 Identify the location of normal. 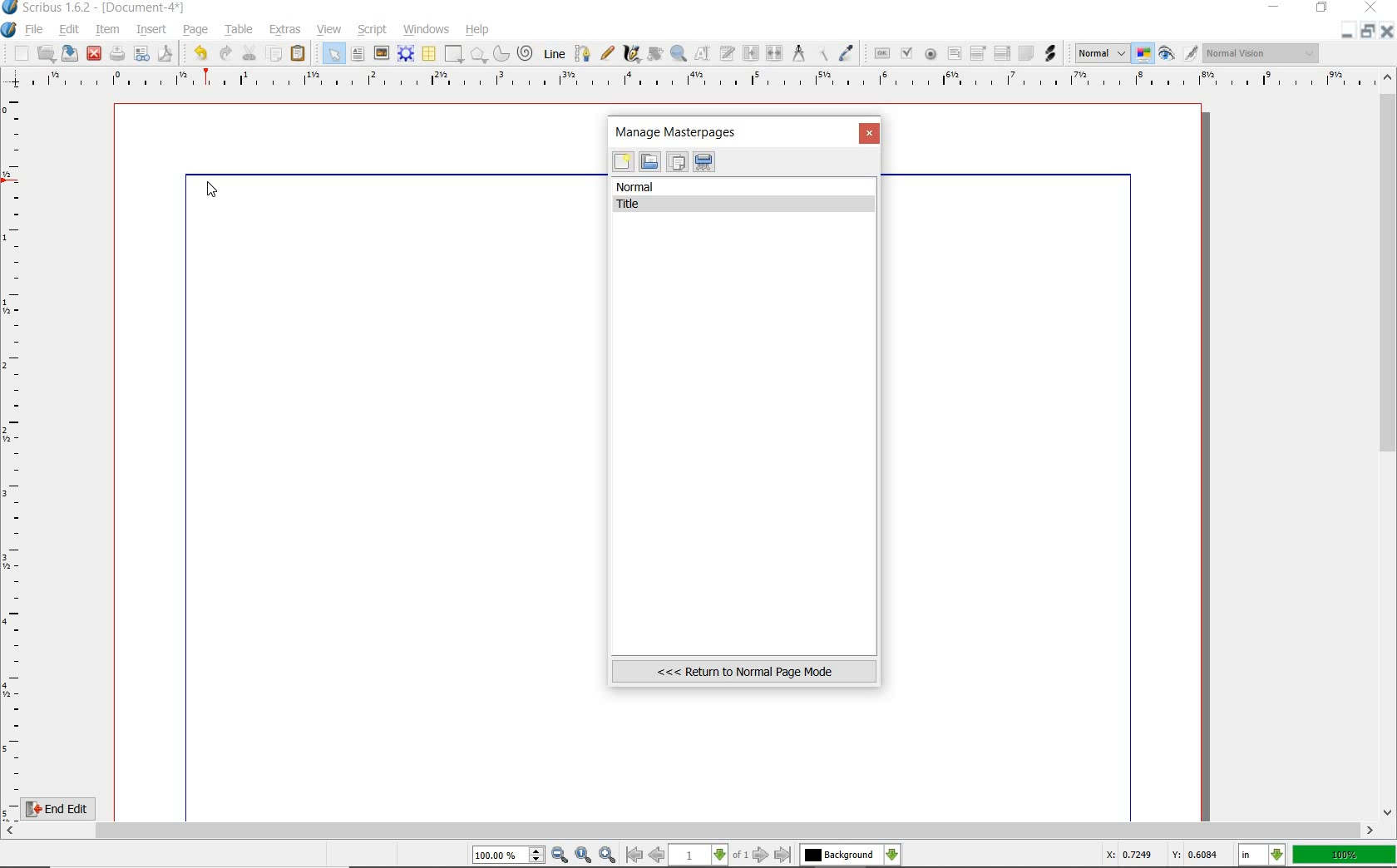
(745, 187).